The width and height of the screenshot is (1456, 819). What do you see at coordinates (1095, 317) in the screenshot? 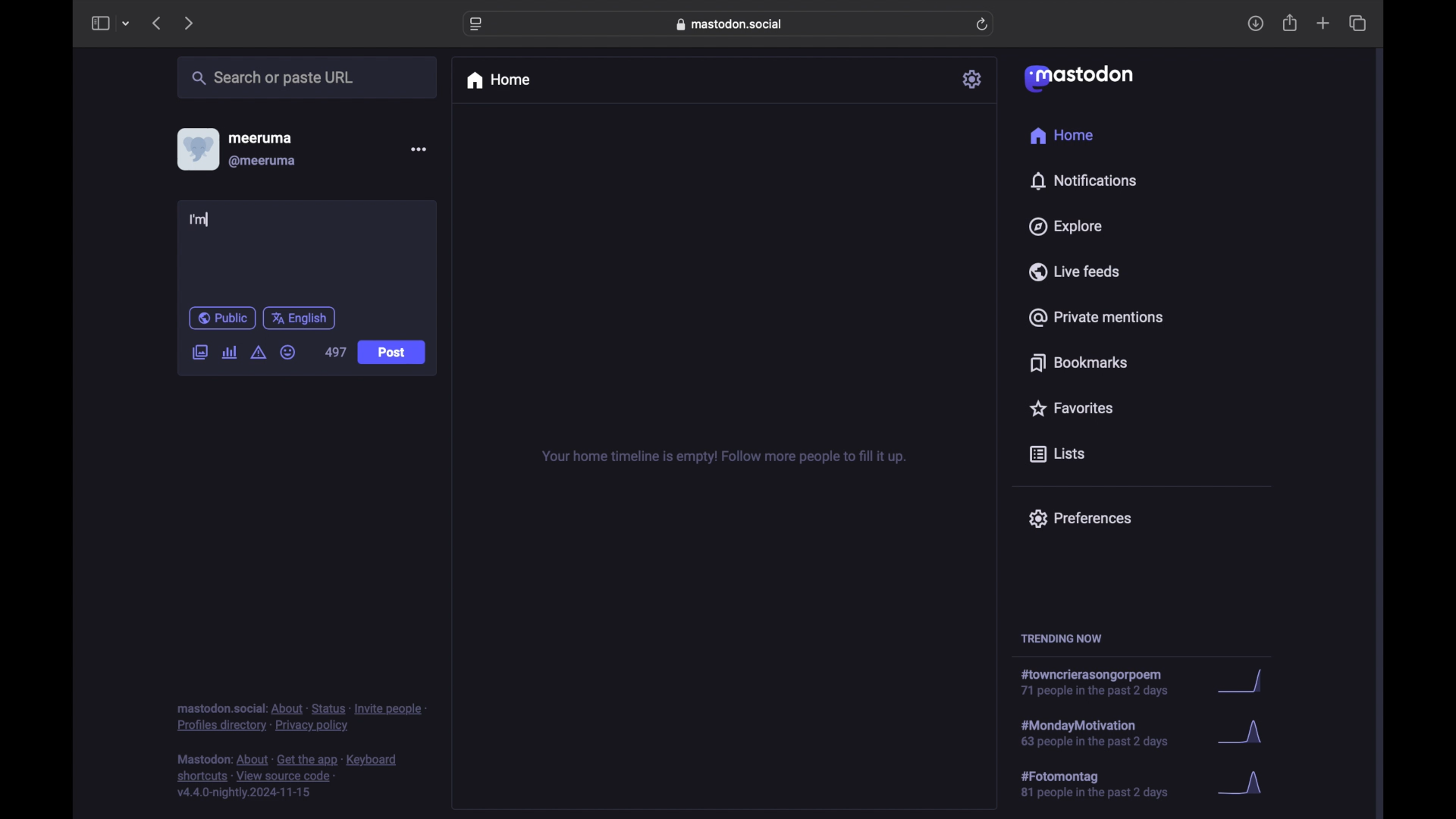
I see `private mentions` at bounding box center [1095, 317].